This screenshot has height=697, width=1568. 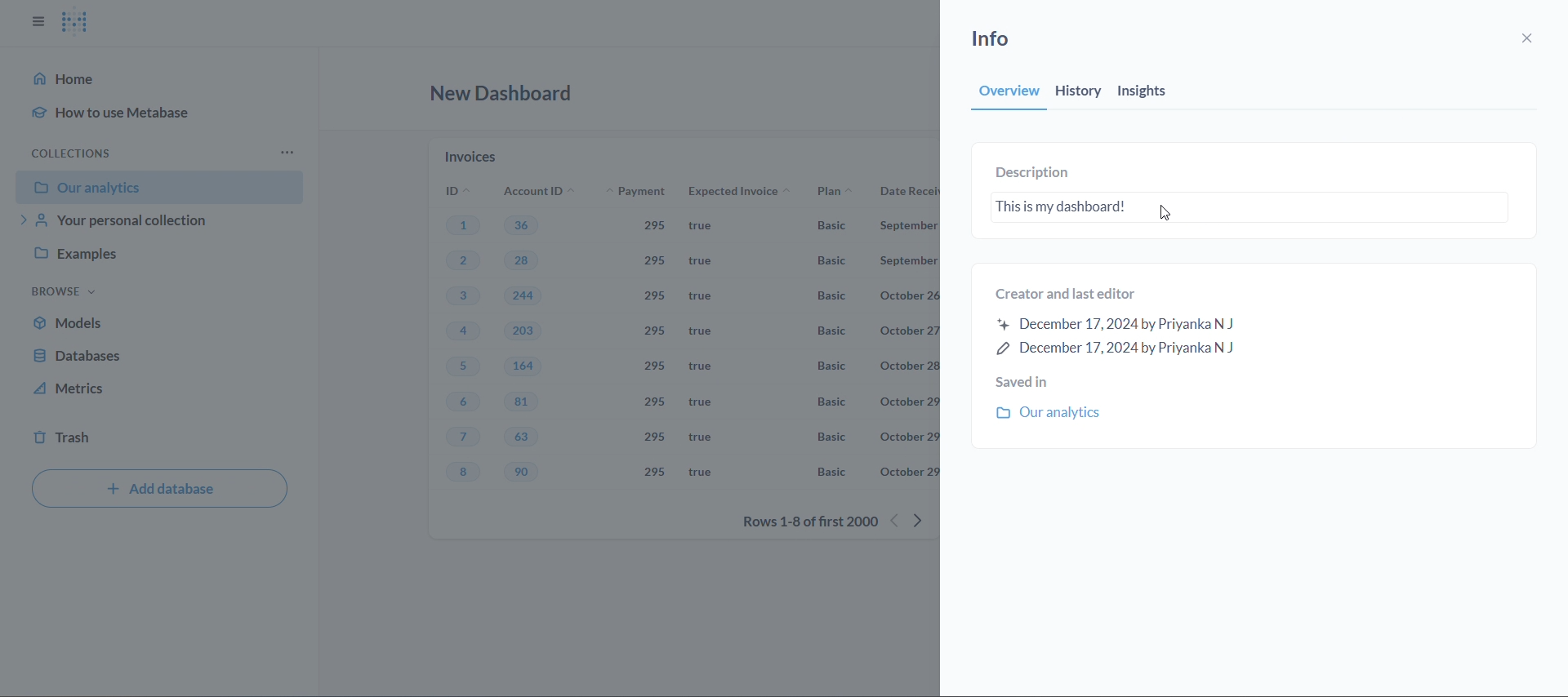 I want to click on rows 1-8 of first 2000, so click(x=807, y=522).